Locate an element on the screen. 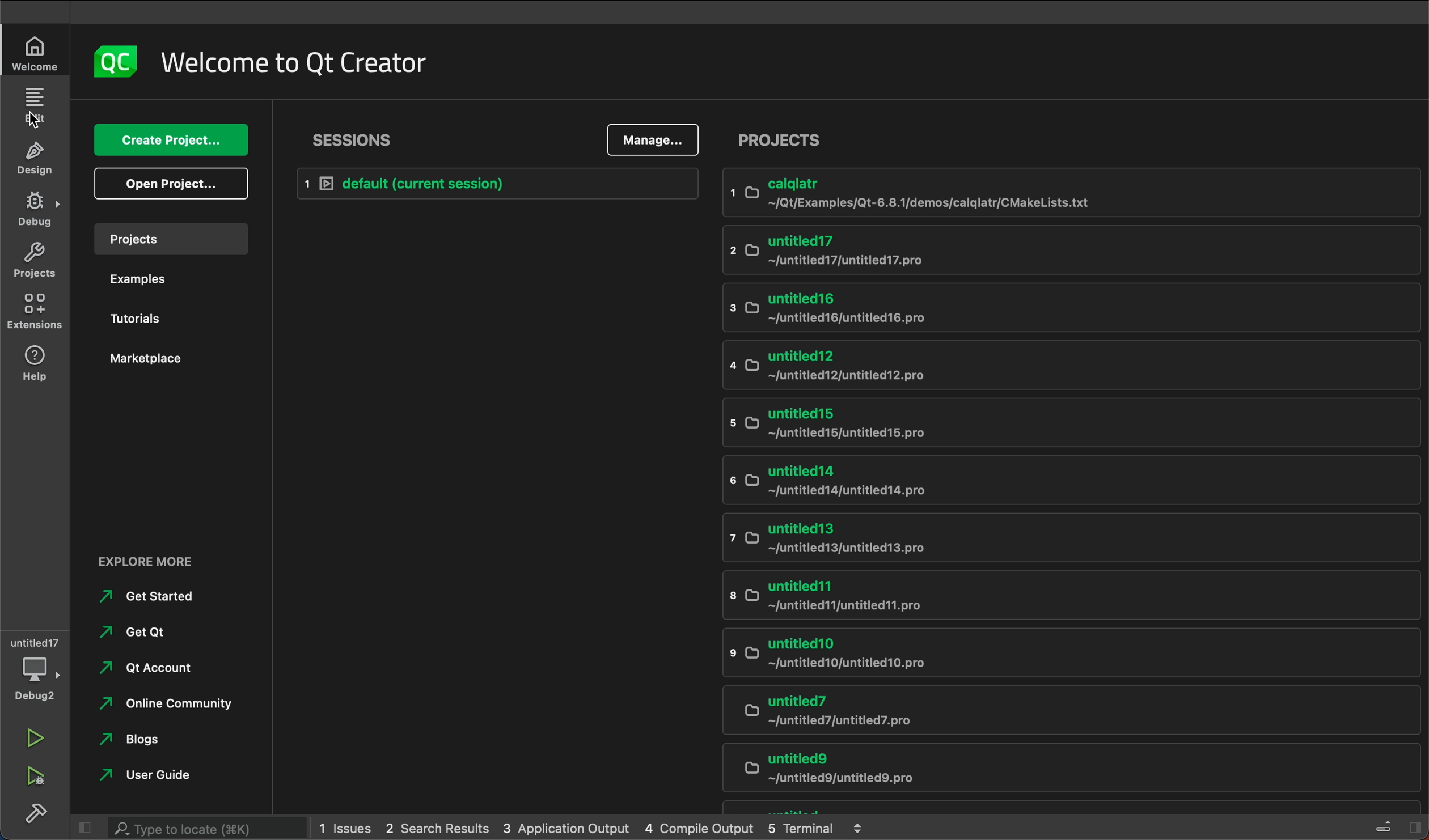  debugger is located at coordinates (35, 667).